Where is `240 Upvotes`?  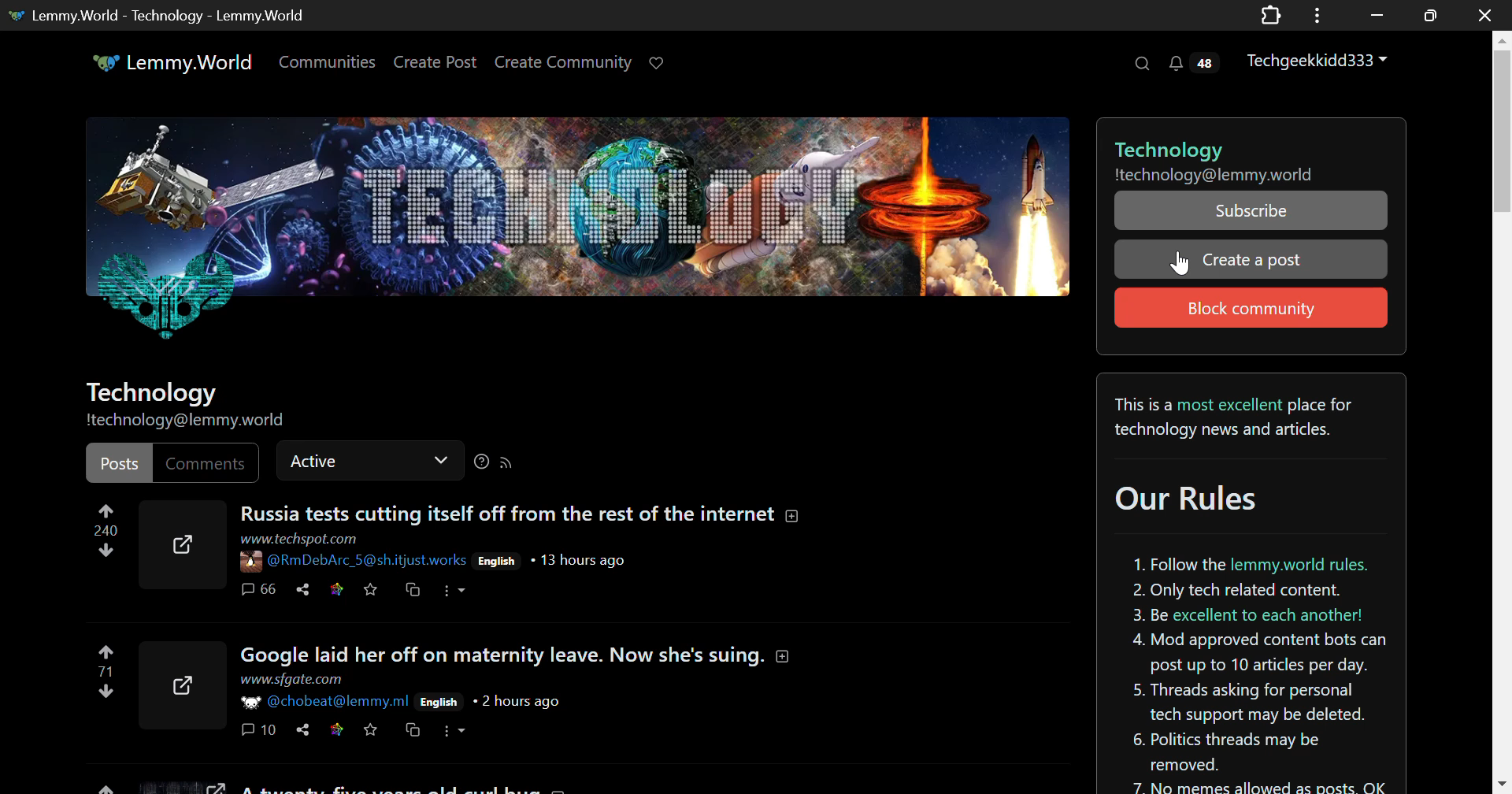
240 Upvotes is located at coordinates (105, 533).